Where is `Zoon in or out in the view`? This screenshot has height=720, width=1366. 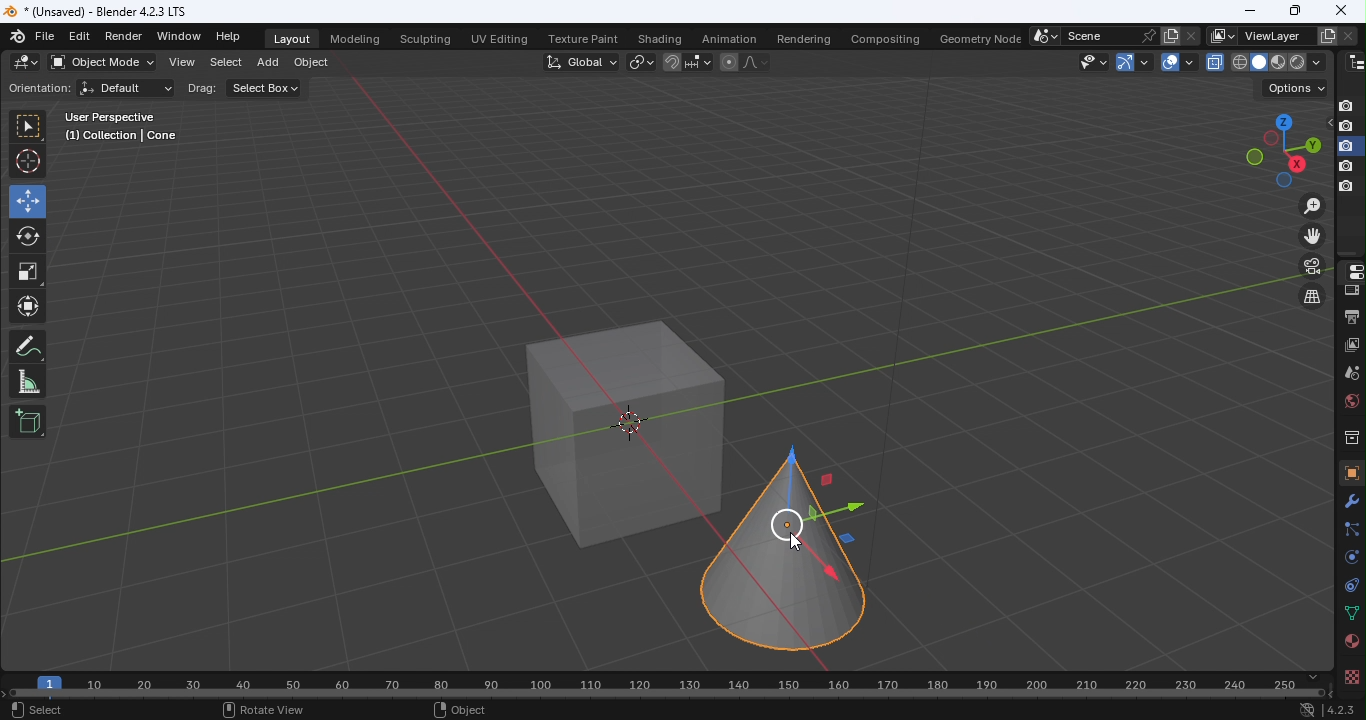
Zoon in or out in the view is located at coordinates (1311, 205).